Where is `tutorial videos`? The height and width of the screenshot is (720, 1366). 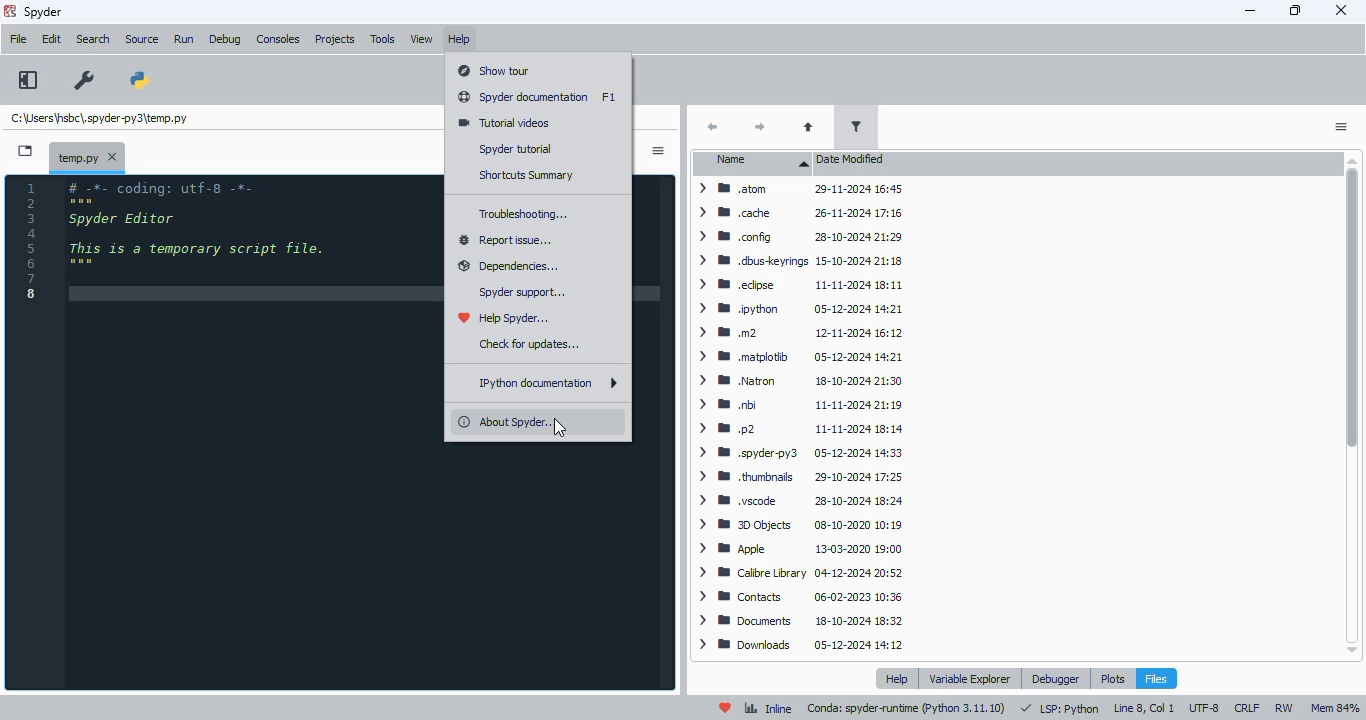 tutorial videos is located at coordinates (506, 123).